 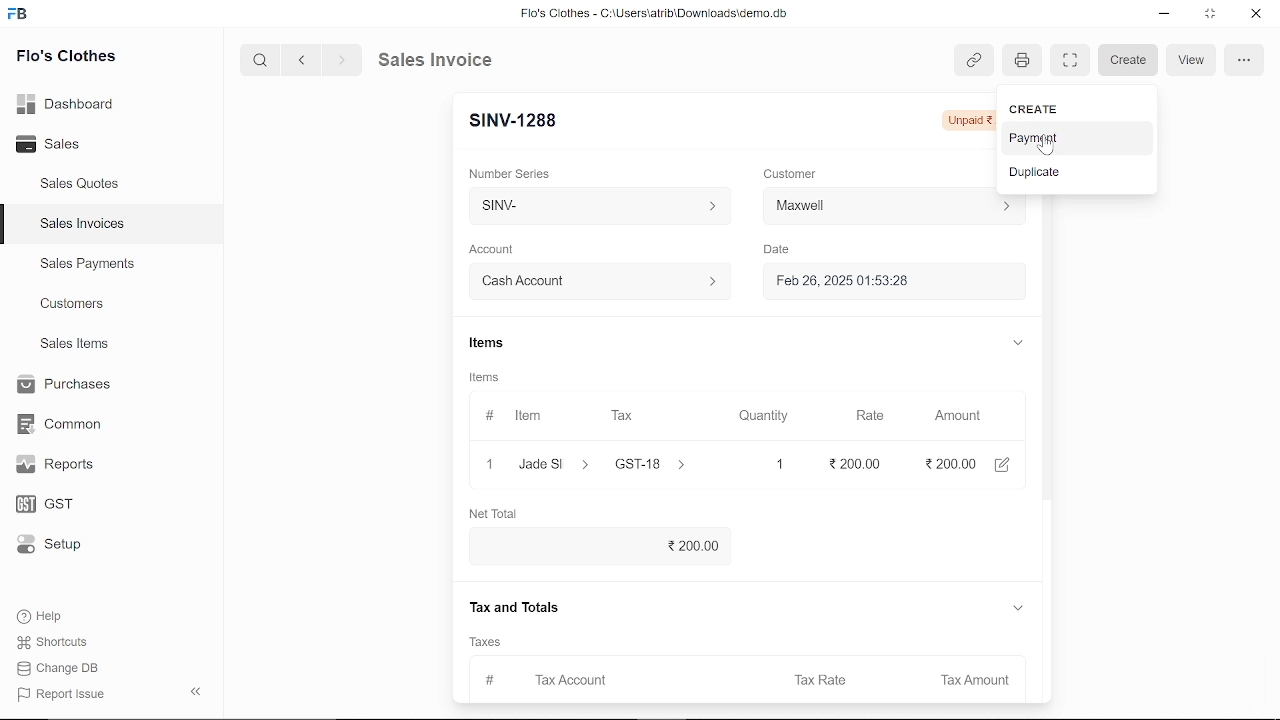 What do you see at coordinates (823, 679) in the screenshot?
I see `Tax Rate` at bounding box center [823, 679].